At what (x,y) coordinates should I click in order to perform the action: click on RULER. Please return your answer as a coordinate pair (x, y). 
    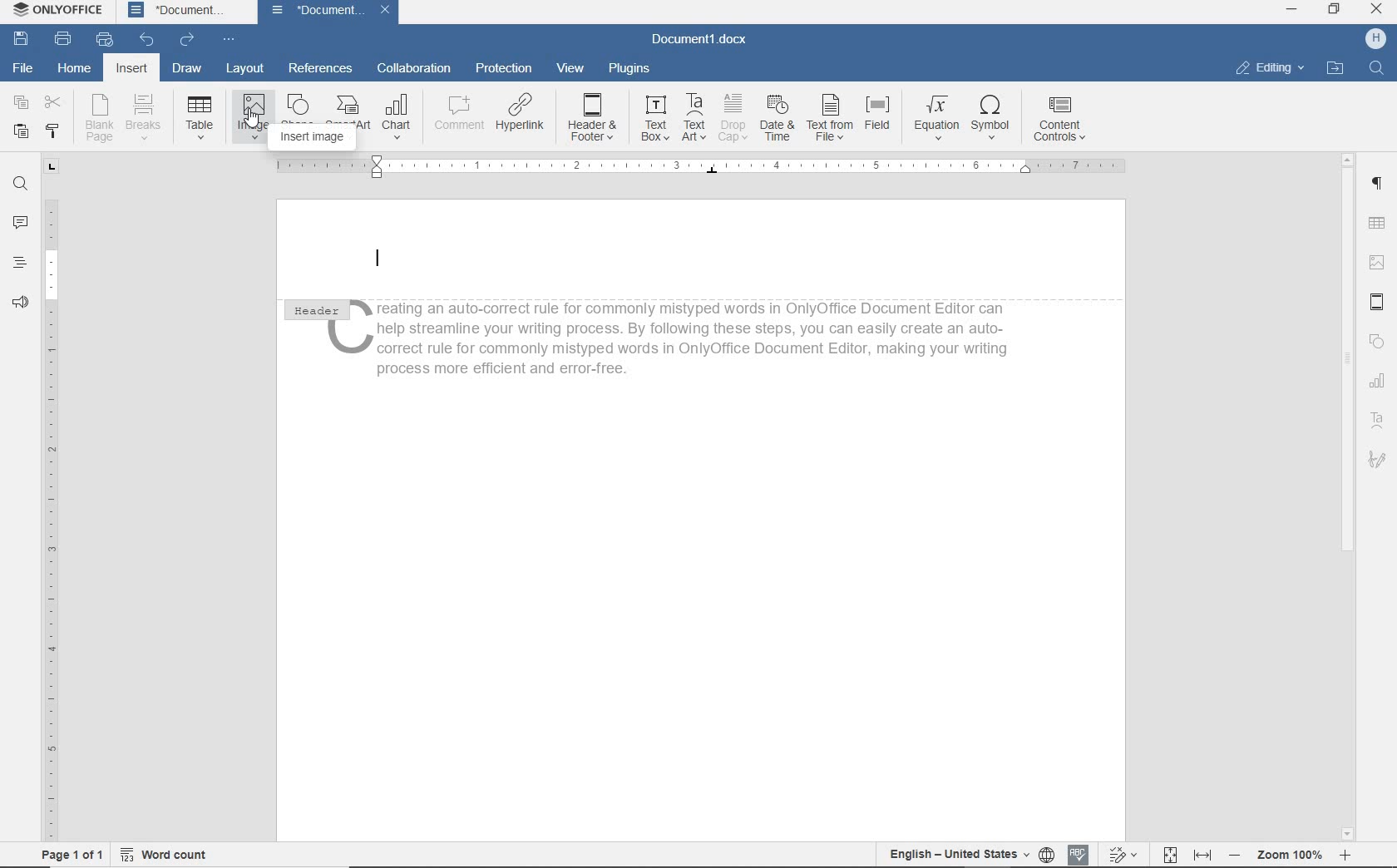
    Looking at the image, I should click on (703, 170).